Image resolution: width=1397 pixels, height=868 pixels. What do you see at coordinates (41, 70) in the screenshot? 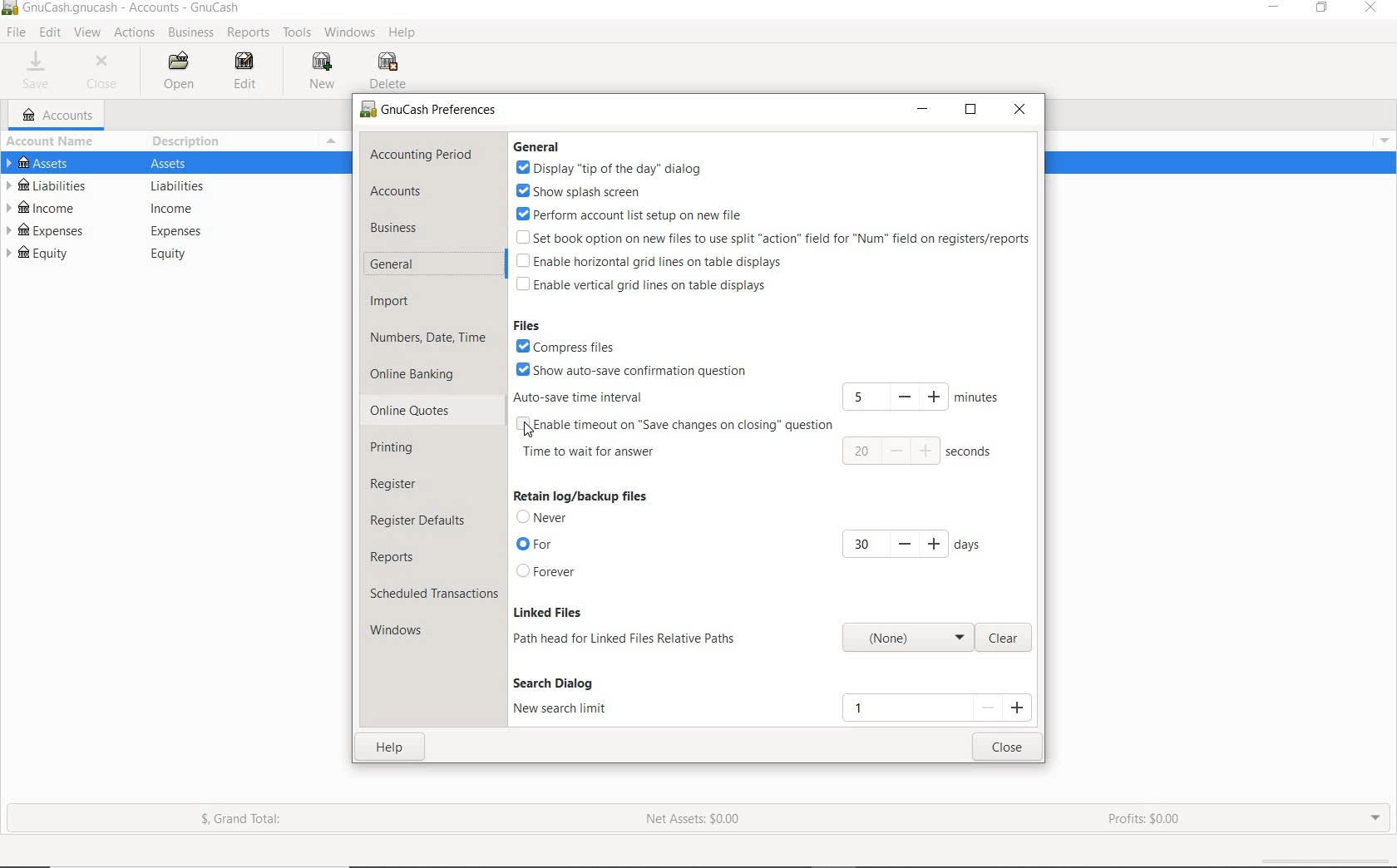
I see `SAVE` at bounding box center [41, 70].